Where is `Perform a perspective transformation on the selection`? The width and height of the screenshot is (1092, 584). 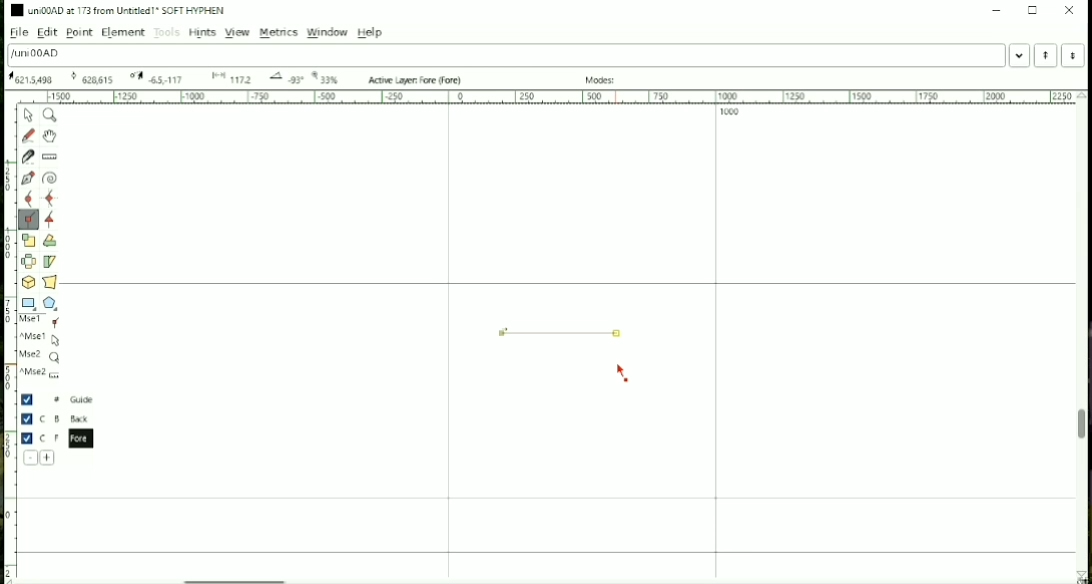
Perform a perspective transformation on the selection is located at coordinates (50, 281).